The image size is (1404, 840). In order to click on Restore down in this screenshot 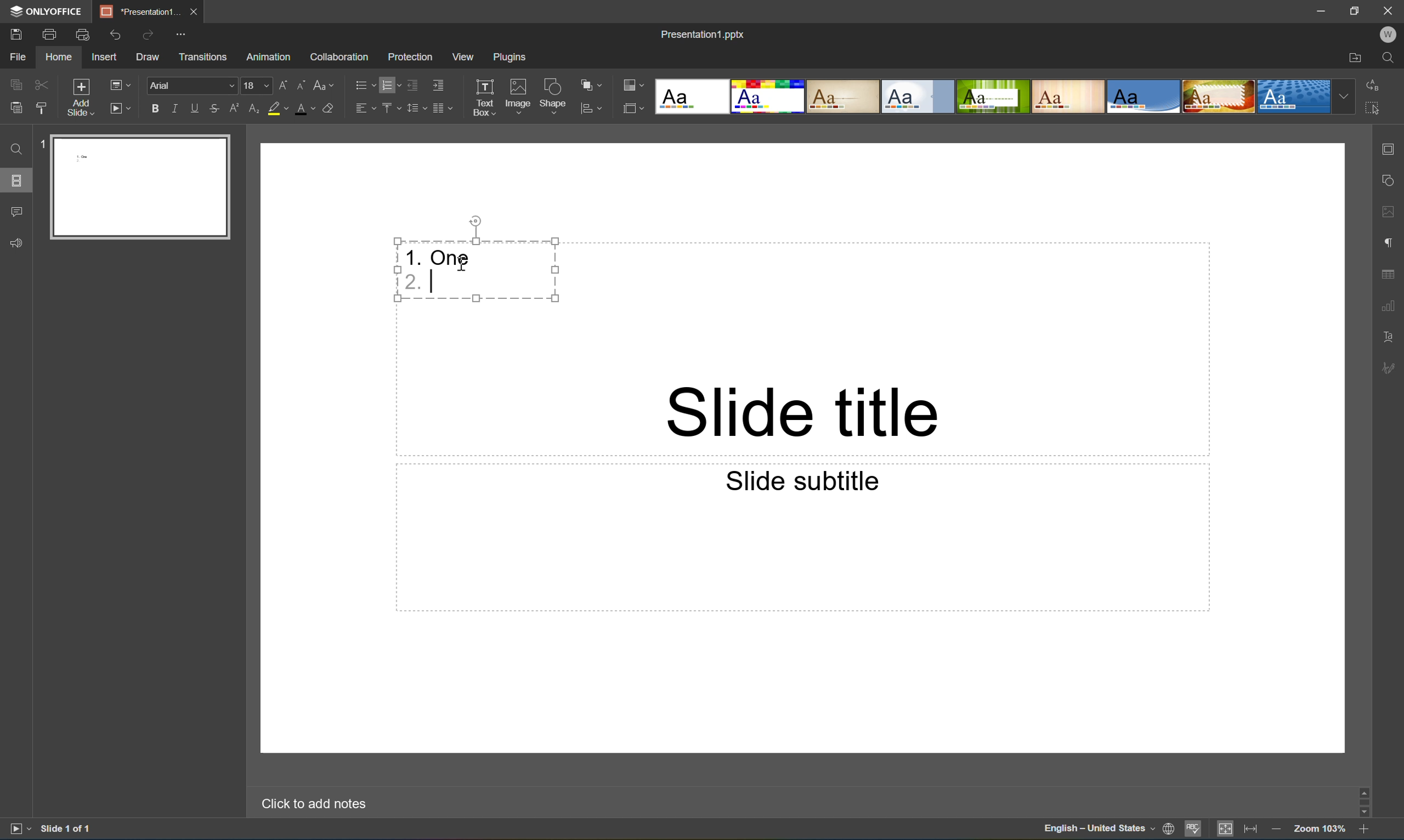, I will do `click(1358, 10)`.